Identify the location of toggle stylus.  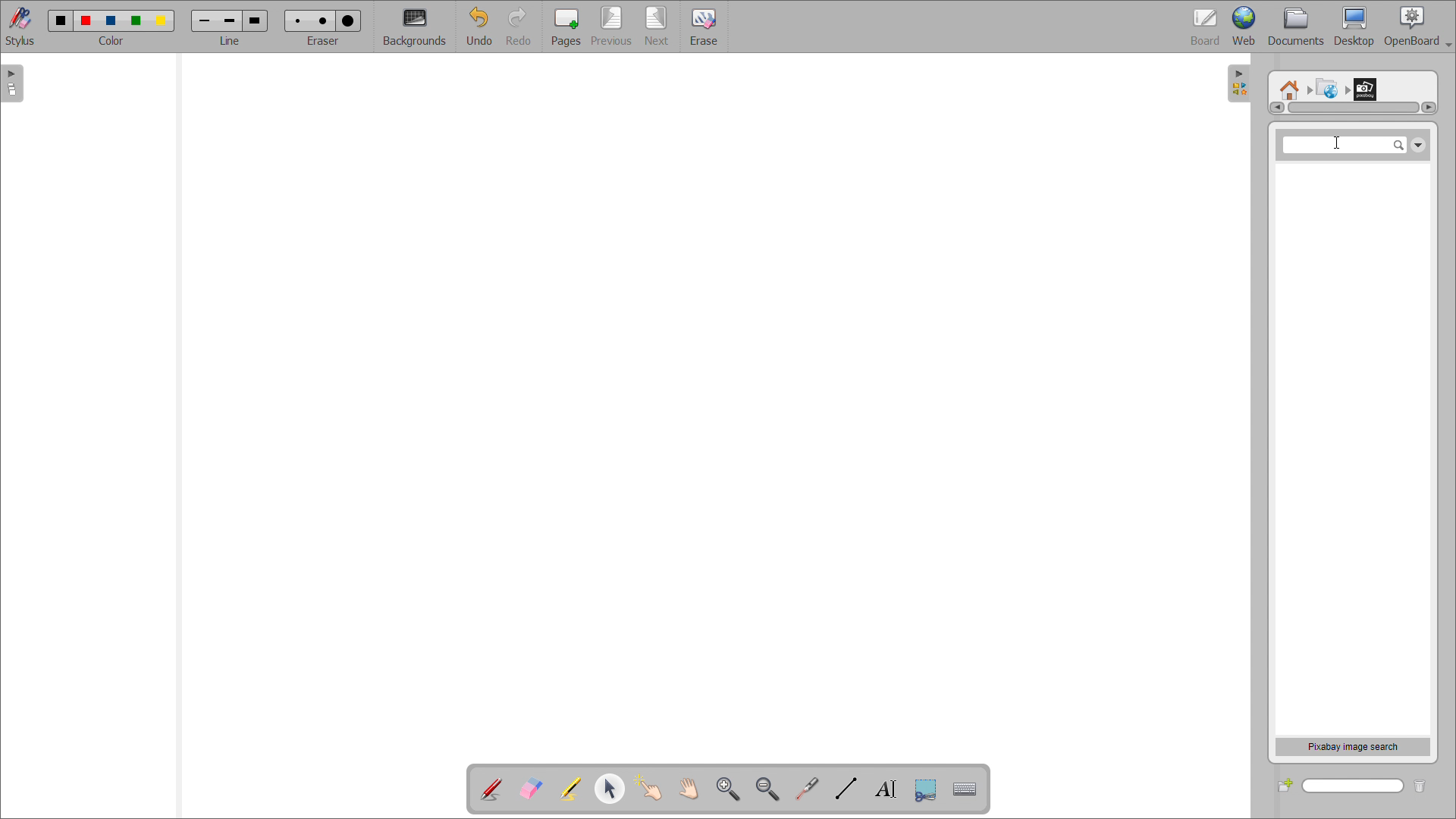
(20, 26).